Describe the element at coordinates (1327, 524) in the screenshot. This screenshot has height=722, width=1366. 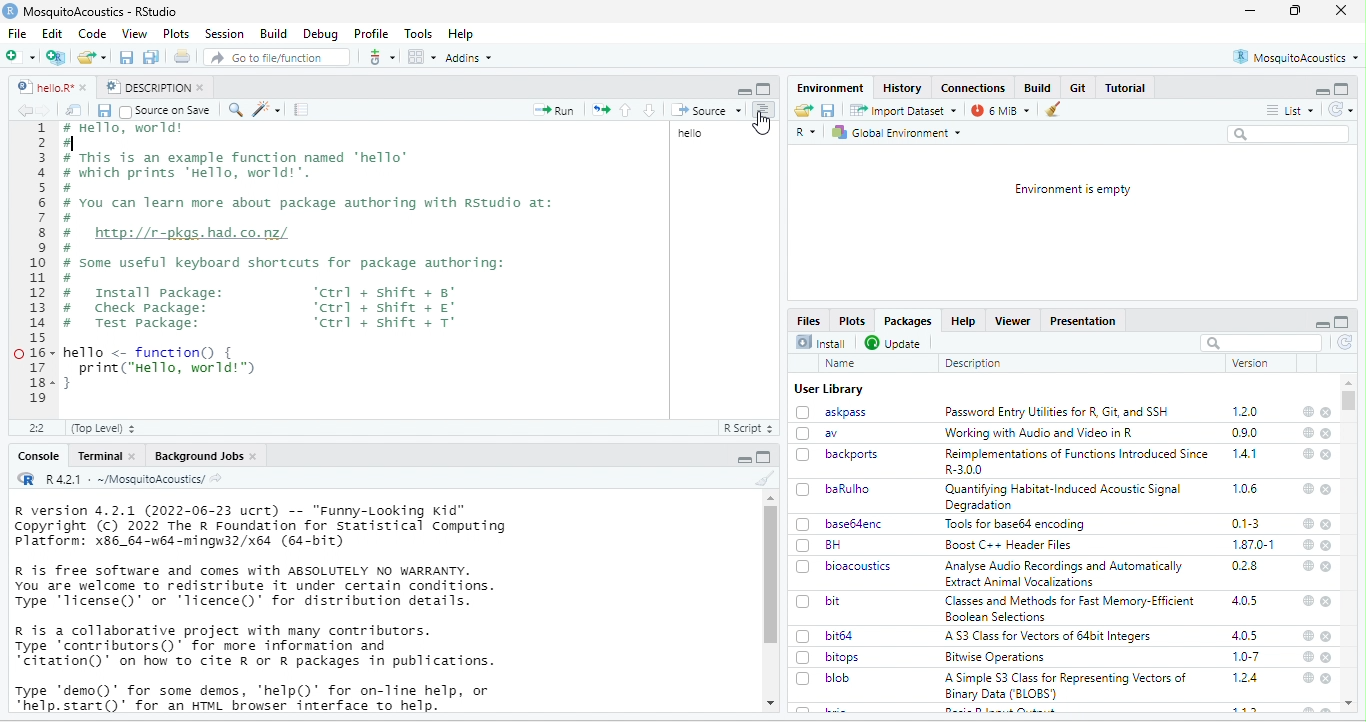
I see `close` at that location.